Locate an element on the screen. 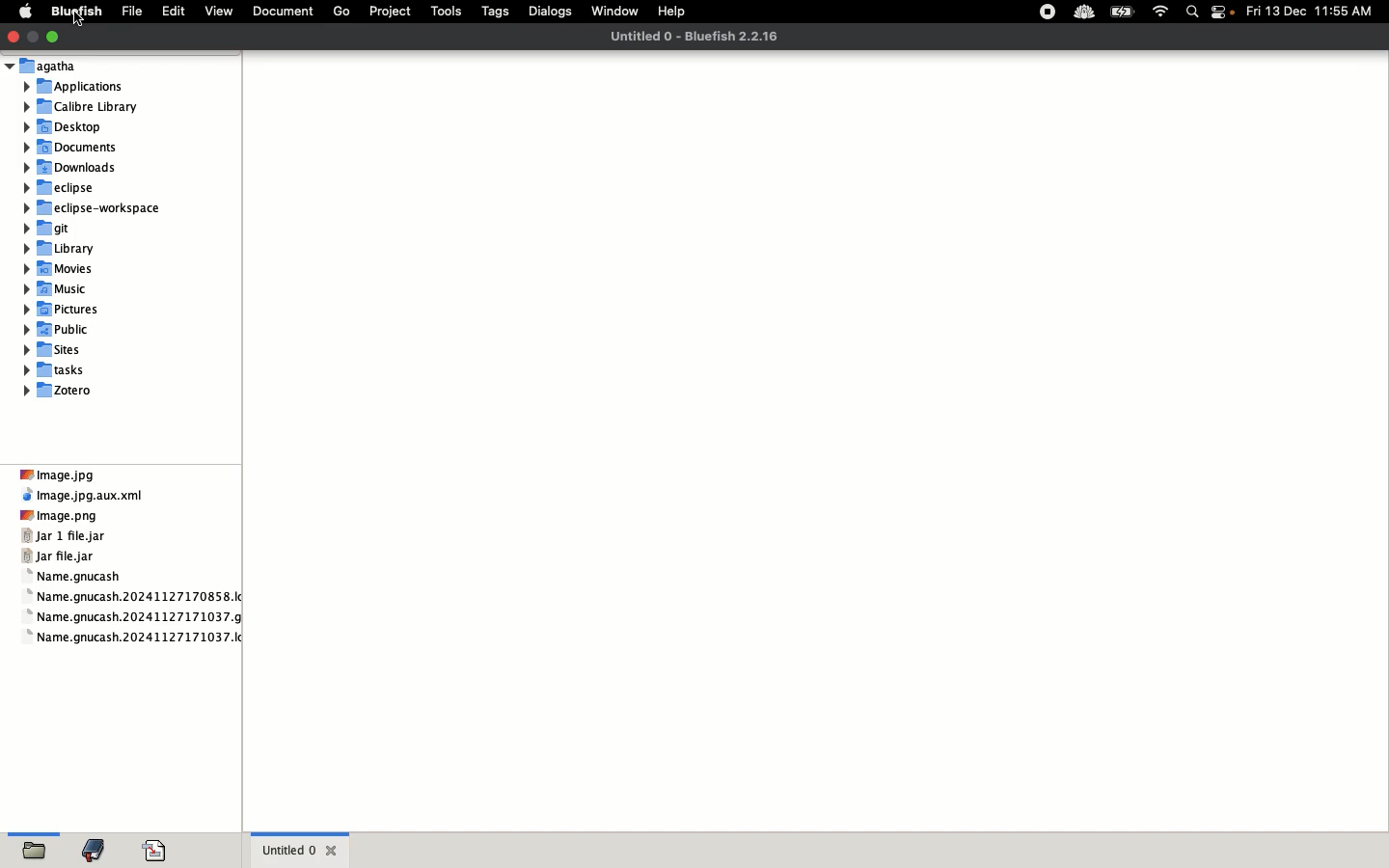  applications is located at coordinates (75, 85).